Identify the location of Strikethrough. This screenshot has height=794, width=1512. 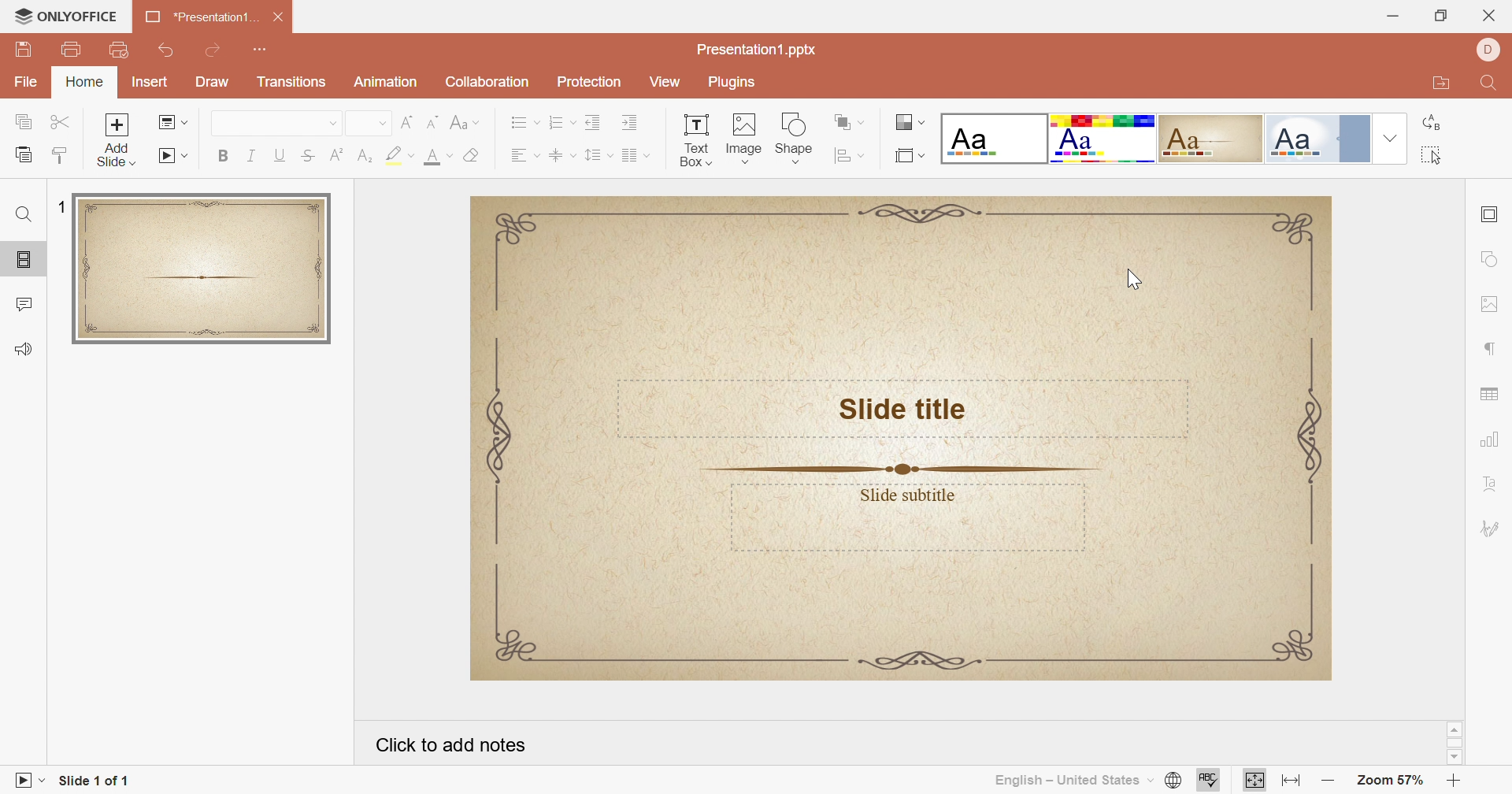
(305, 155).